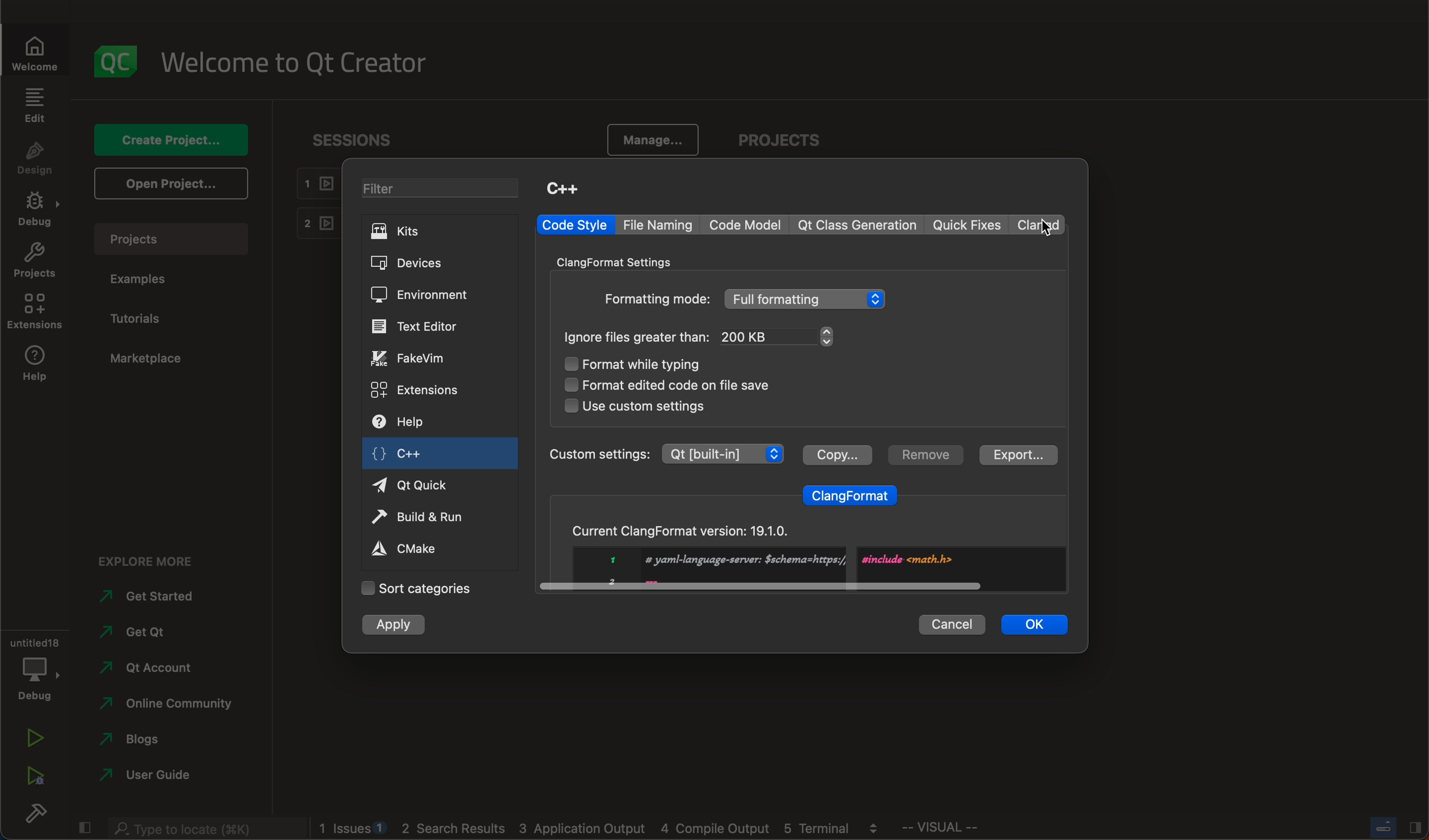 This screenshot has height=840, width=1429. What do you see at coordinates (36, 262) in the screenshot?
I see `projects` at bounding box center [36, 262].